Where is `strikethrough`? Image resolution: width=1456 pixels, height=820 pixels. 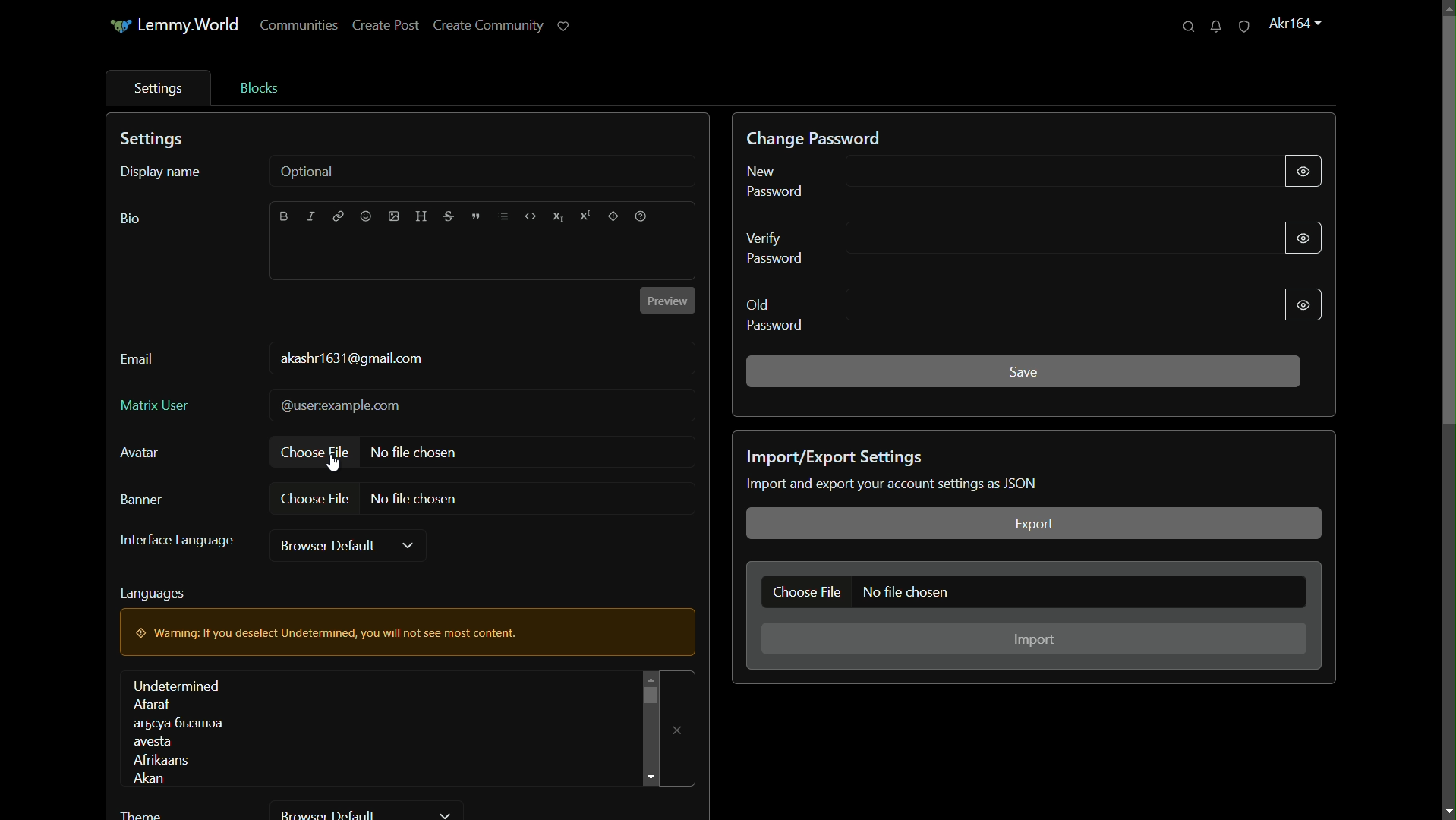
strikethrough is located at coordinates (449, 219).